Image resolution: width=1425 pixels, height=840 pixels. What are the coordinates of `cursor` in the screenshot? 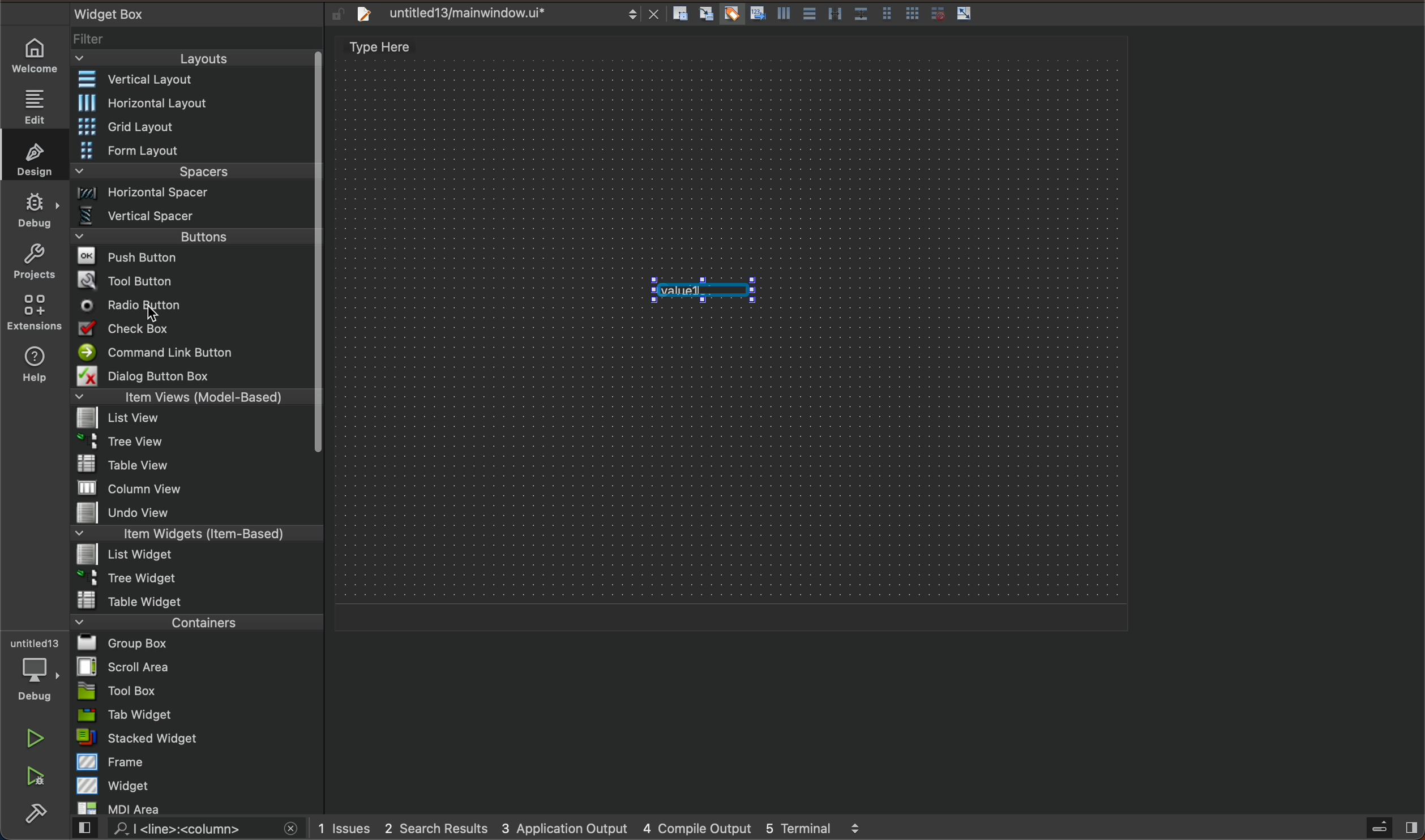 It's located at (153, 320).